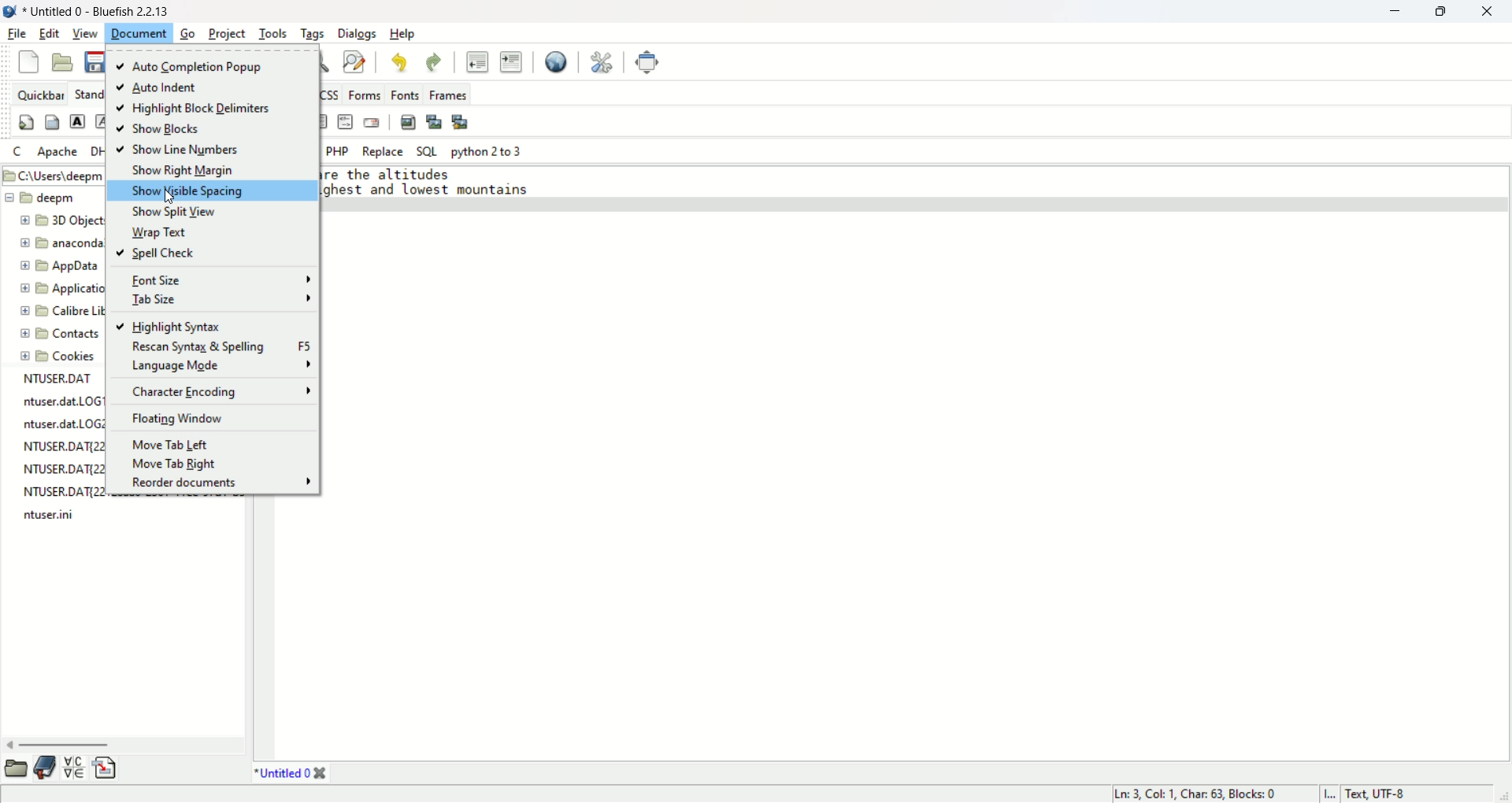  What do you see at coordinates (78, 766) in the screenshot?
I see `insert special character` at bounding box center [78, 766].